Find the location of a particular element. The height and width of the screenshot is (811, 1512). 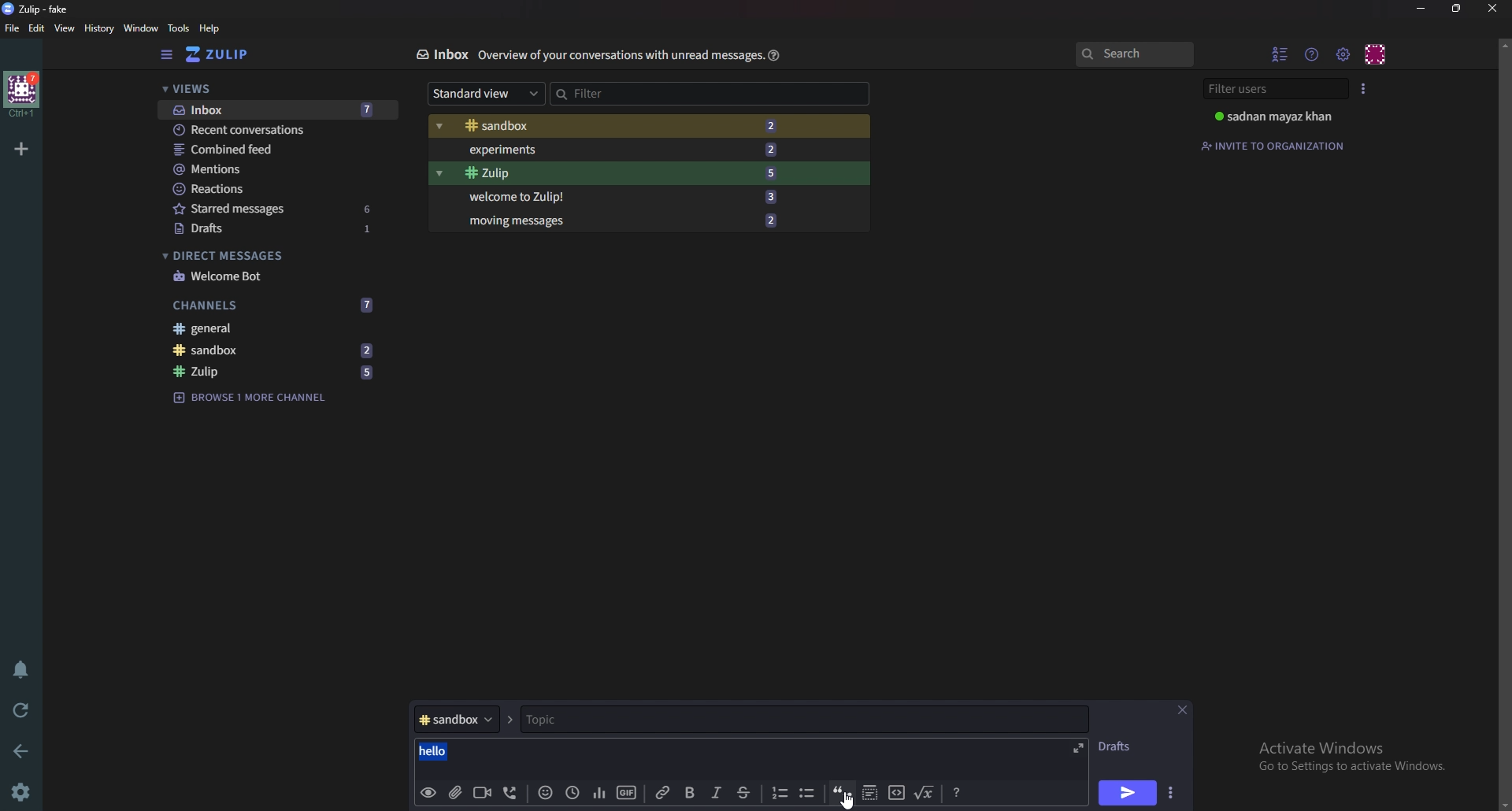

# Sandbox is located at coordinates (553, 127).